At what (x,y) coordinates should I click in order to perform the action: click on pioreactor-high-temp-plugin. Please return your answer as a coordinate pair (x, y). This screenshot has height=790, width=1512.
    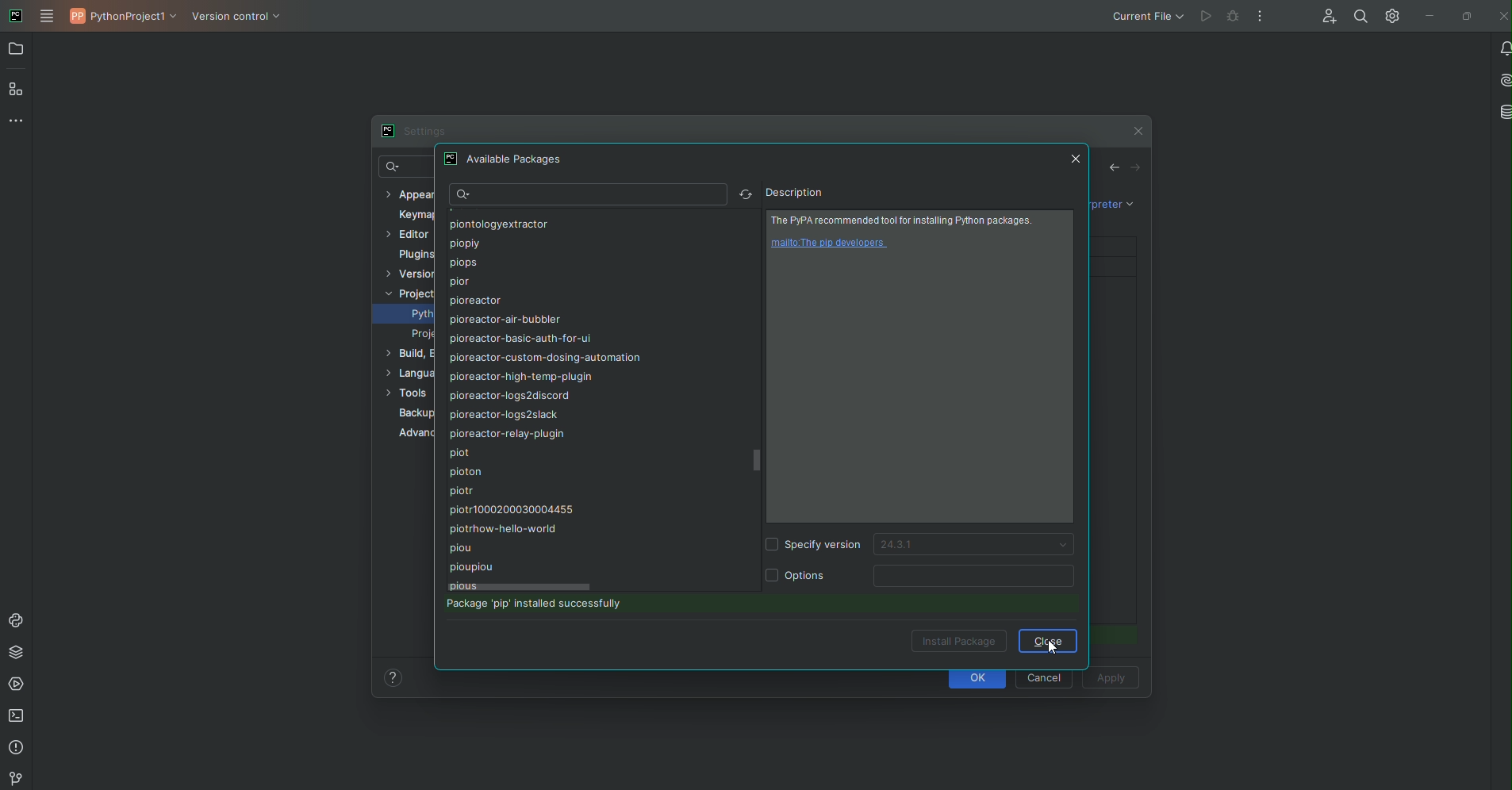
    Looking at the image, I should click on (520, 376).